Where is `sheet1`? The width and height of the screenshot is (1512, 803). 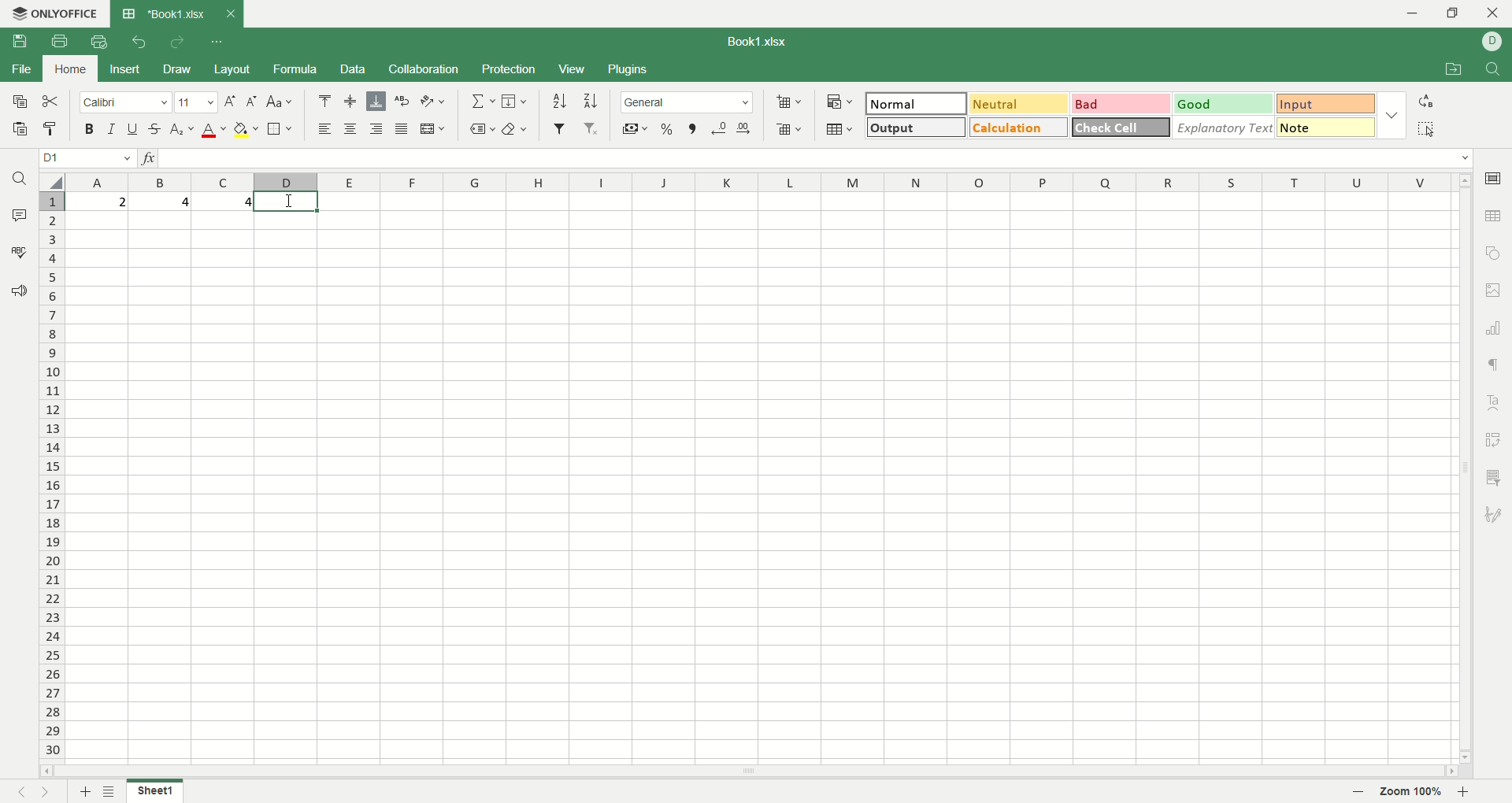
sheet1 is located at coordinates (154, 790).